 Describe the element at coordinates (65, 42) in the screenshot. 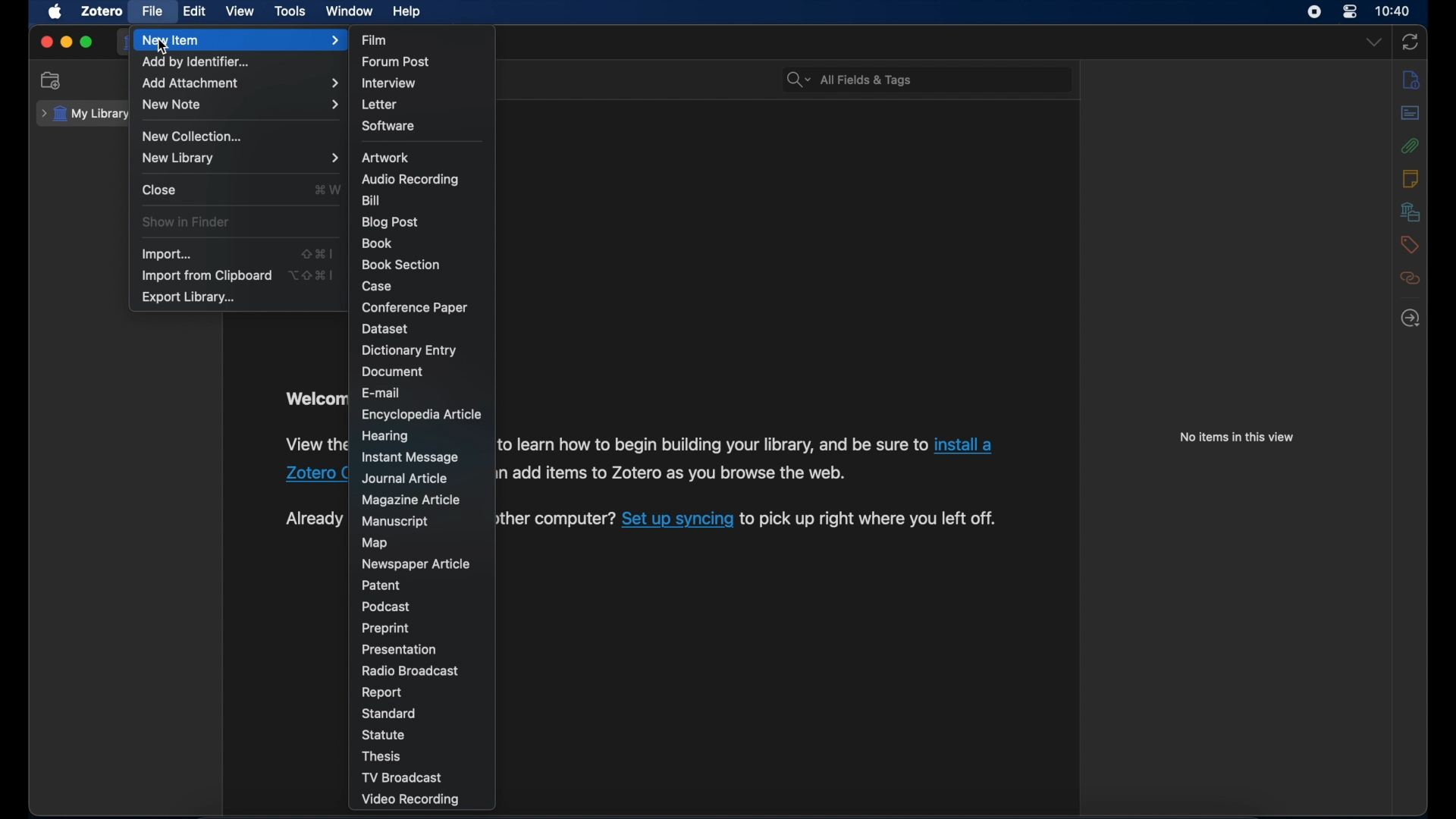

I see `minimize` at that location.